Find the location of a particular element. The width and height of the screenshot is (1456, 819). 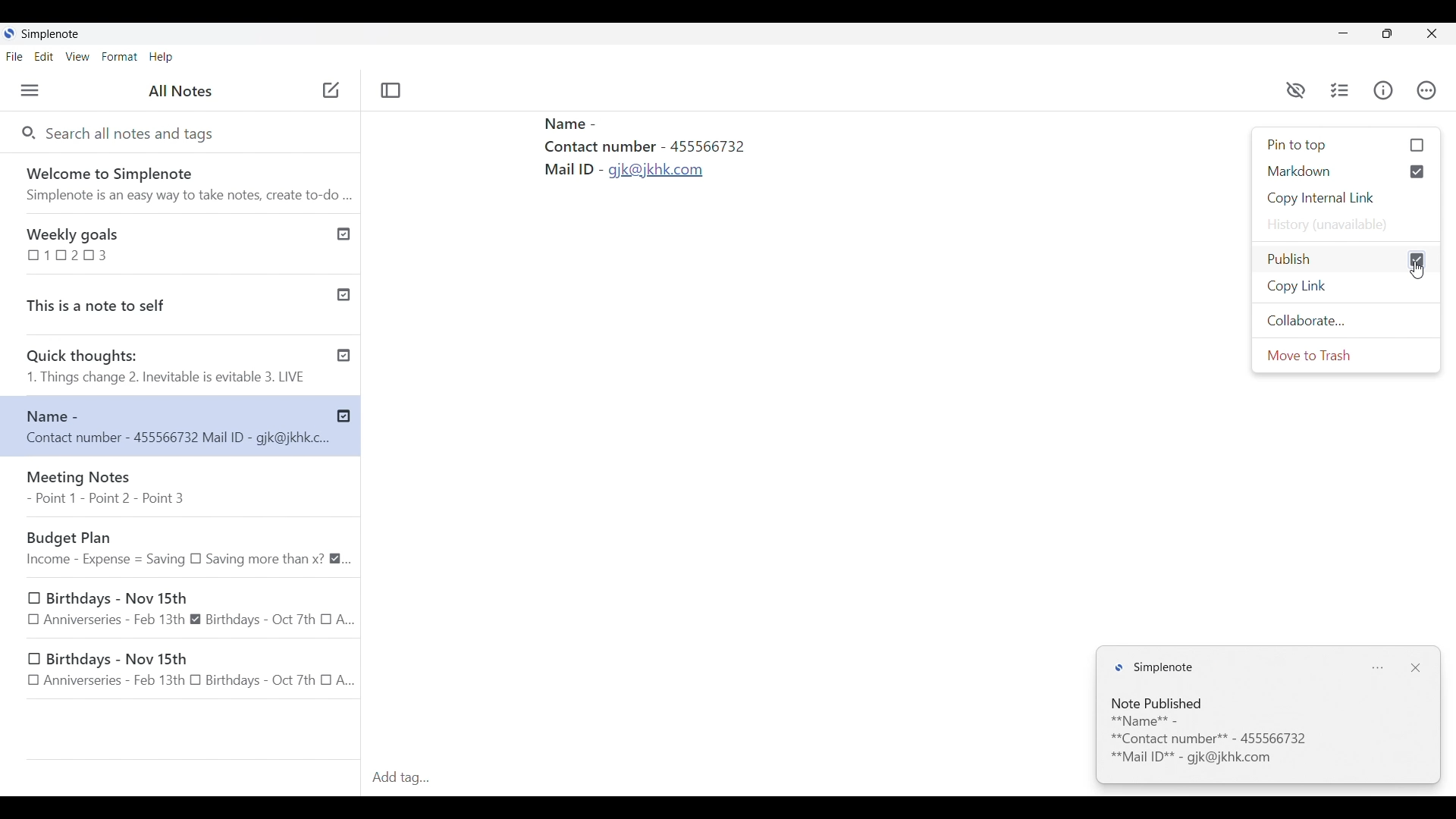

Minimize is located at coordinates (1343, 33).